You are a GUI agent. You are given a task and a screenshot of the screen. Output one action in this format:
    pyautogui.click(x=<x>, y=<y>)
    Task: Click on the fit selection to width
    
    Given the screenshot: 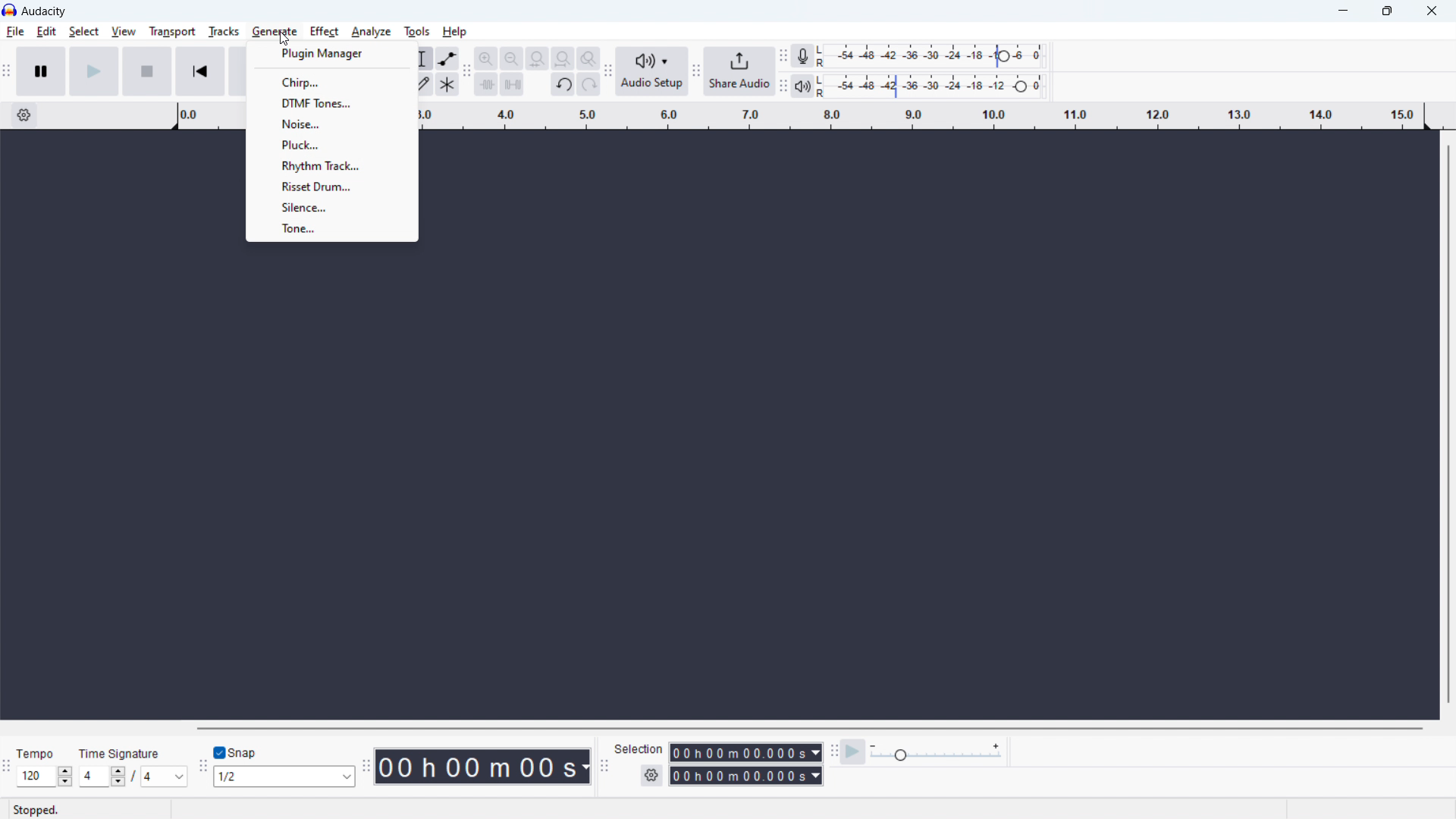 What is the action you would take?
    pyautogui.click(x=538, y=58)
    